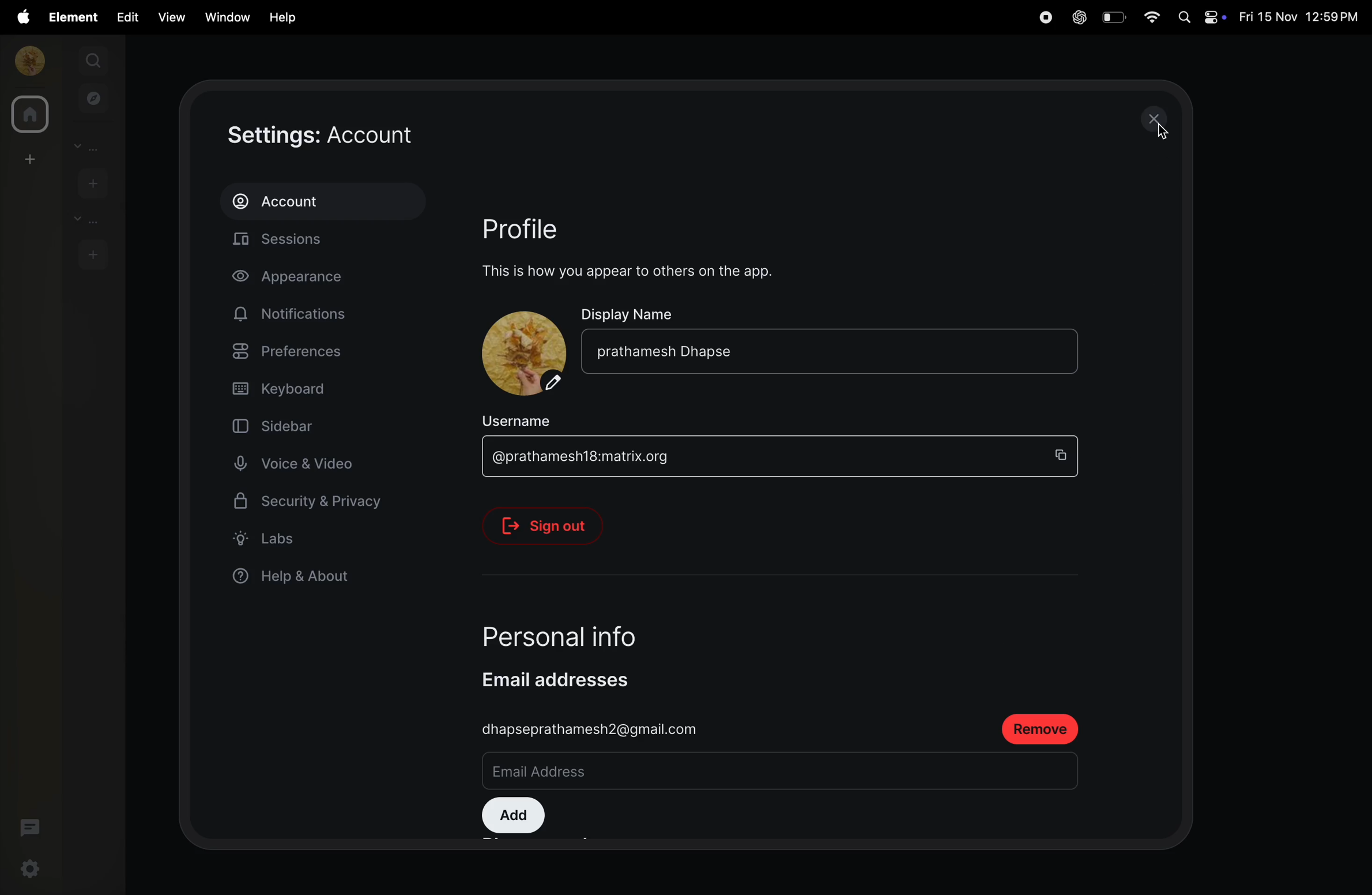 The height and width of the screenshot is (895, 1372). I want to click on keyboard, so click(316, 389).